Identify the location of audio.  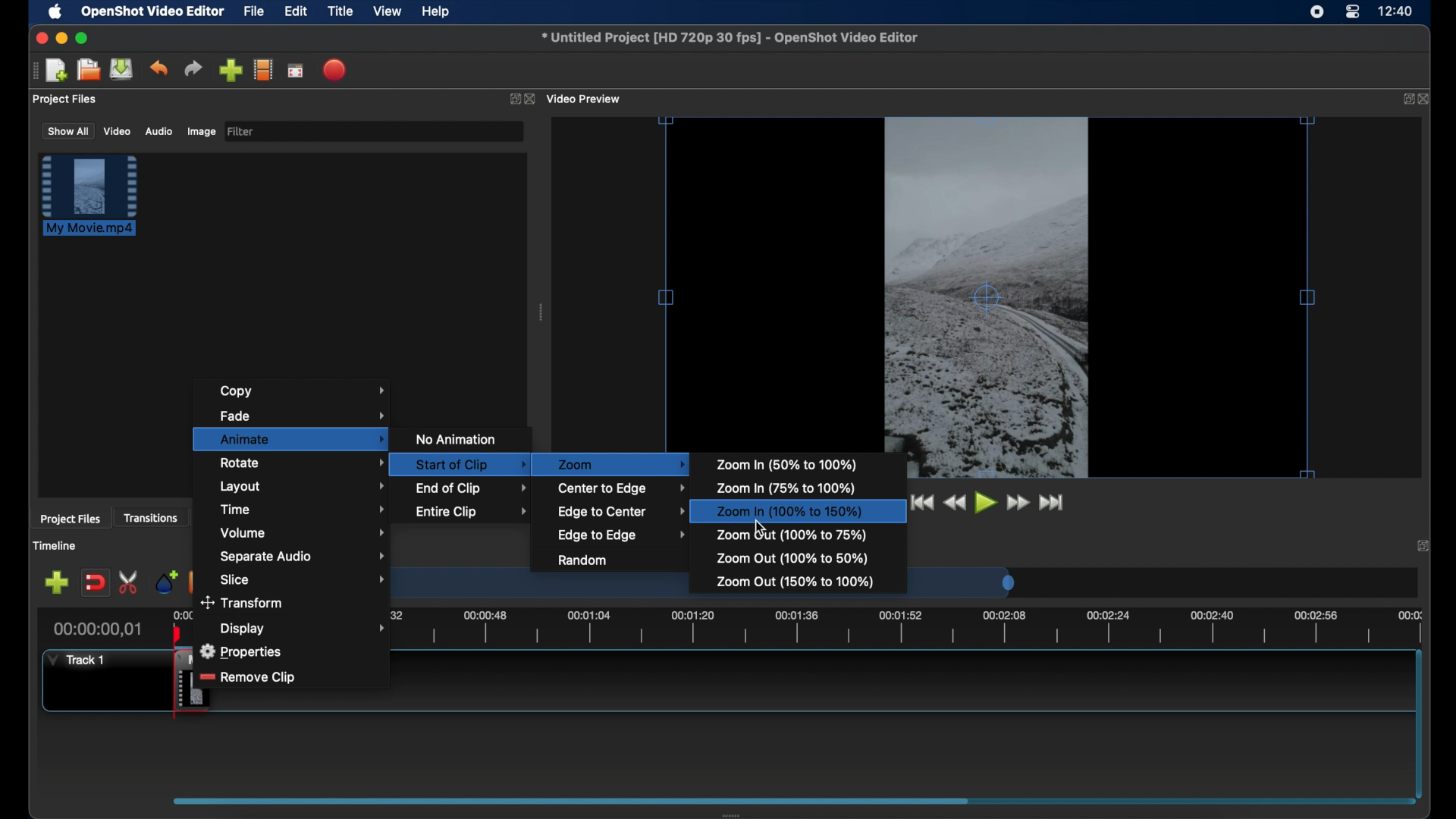
(158, 132).